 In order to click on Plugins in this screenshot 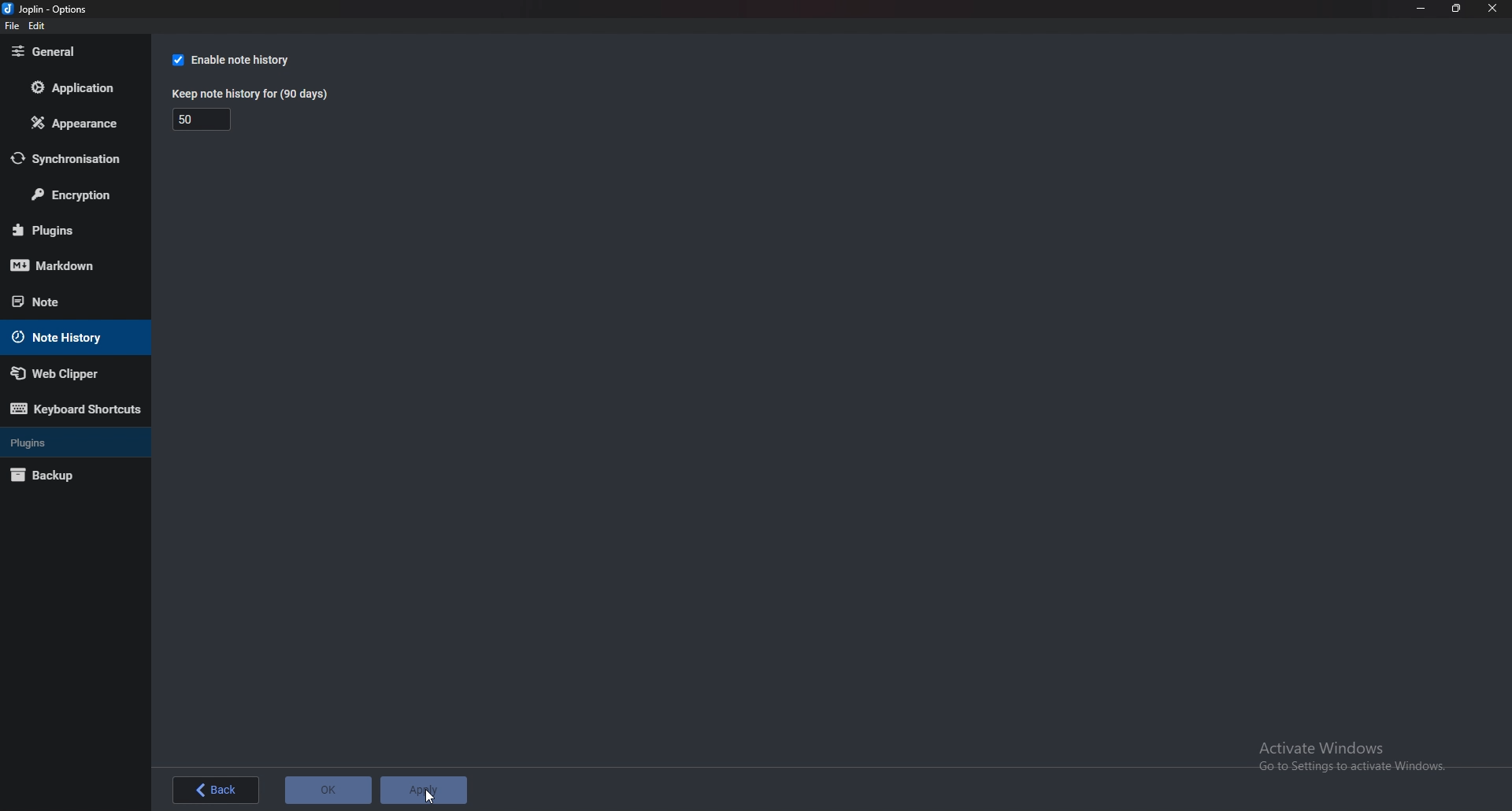, I will do `click(66, 231)`.